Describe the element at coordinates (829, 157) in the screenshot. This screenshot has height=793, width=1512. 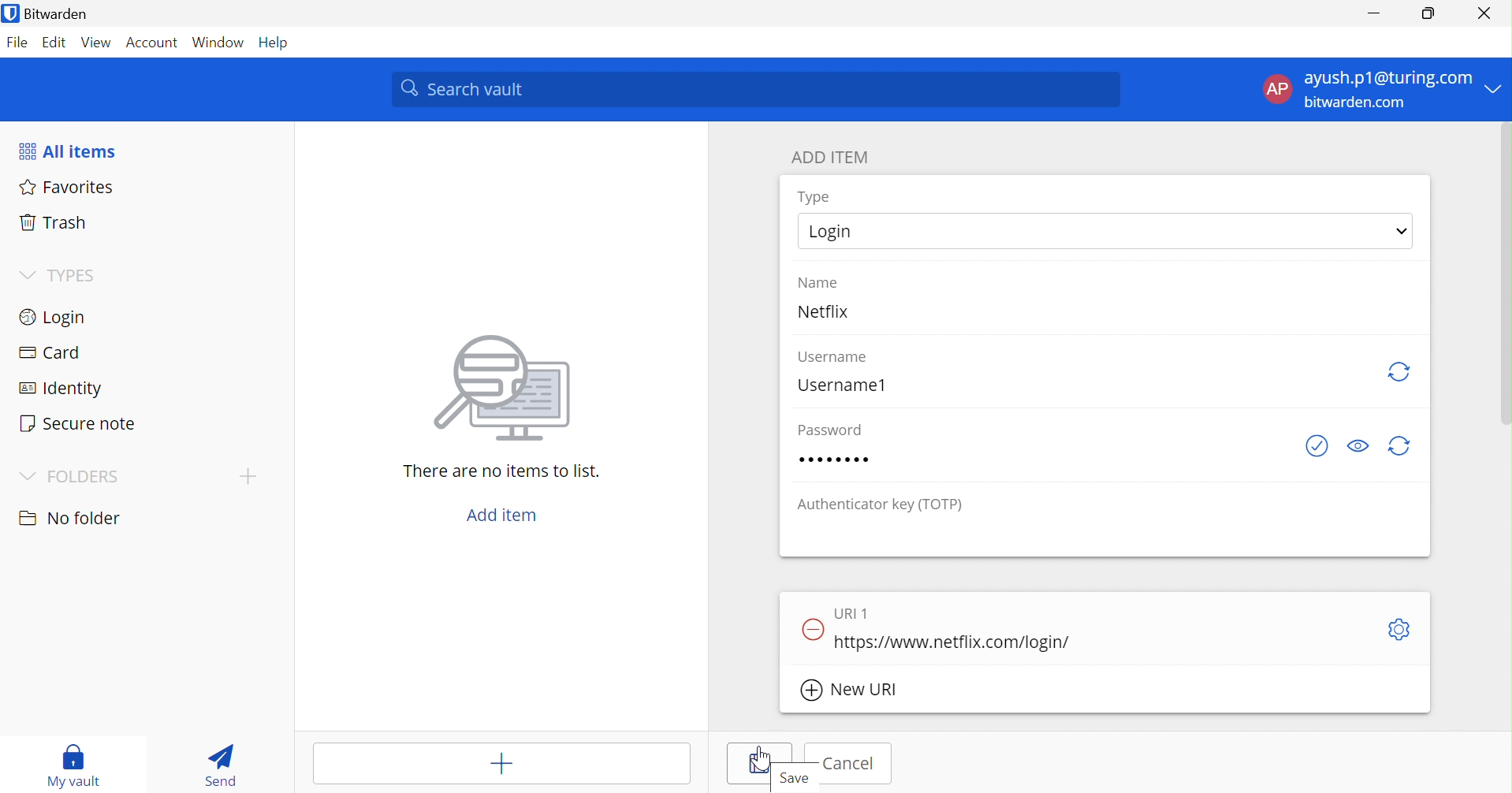
I see `ADD ITEM` at that location.